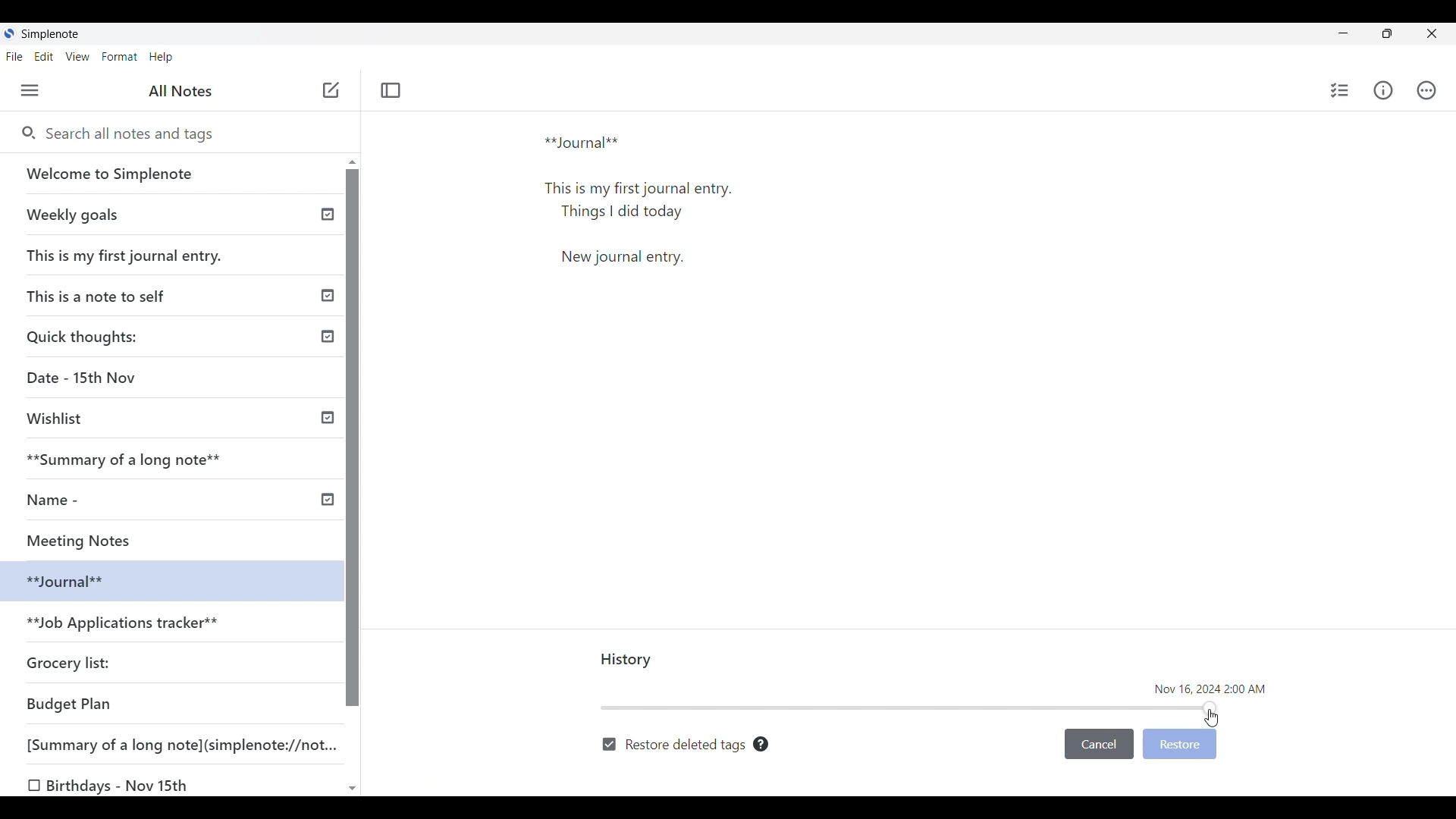 This screenshot has height=819, width=1456. What do you see at coordinates (1099, 745) in the screenshot?
I see `Cancel inputs made` at bounding box center [1099, 745].